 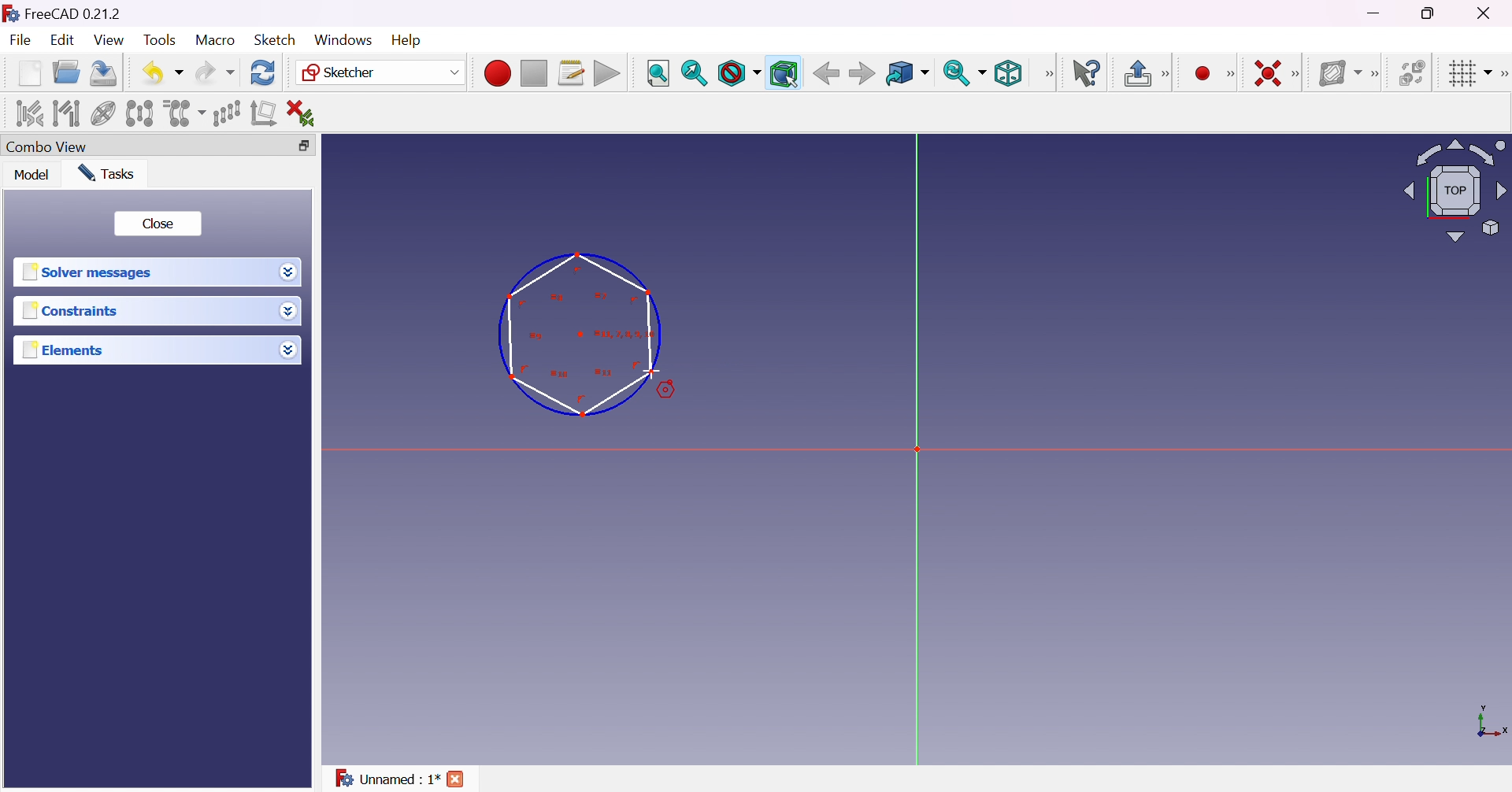 I want to click on Help, so click(x=409, y=41).